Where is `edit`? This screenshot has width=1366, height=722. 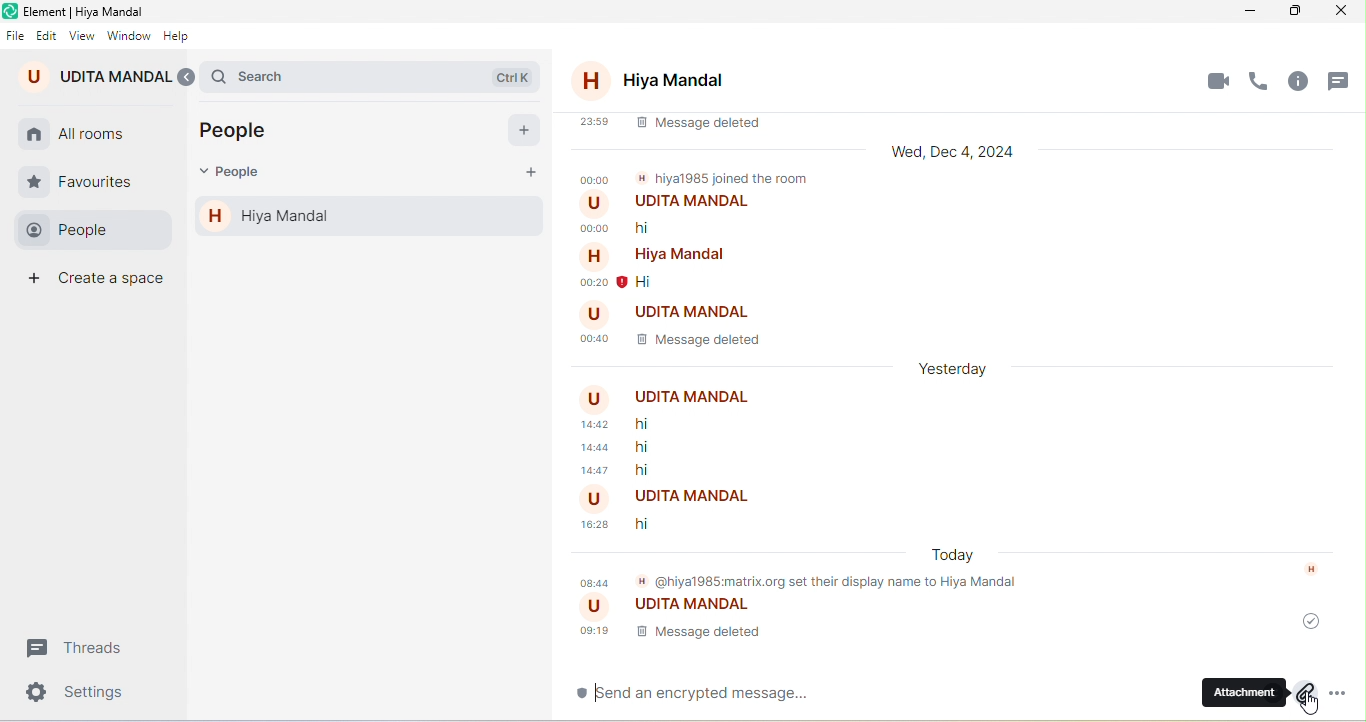 edit is located at coordinates (47, 31).